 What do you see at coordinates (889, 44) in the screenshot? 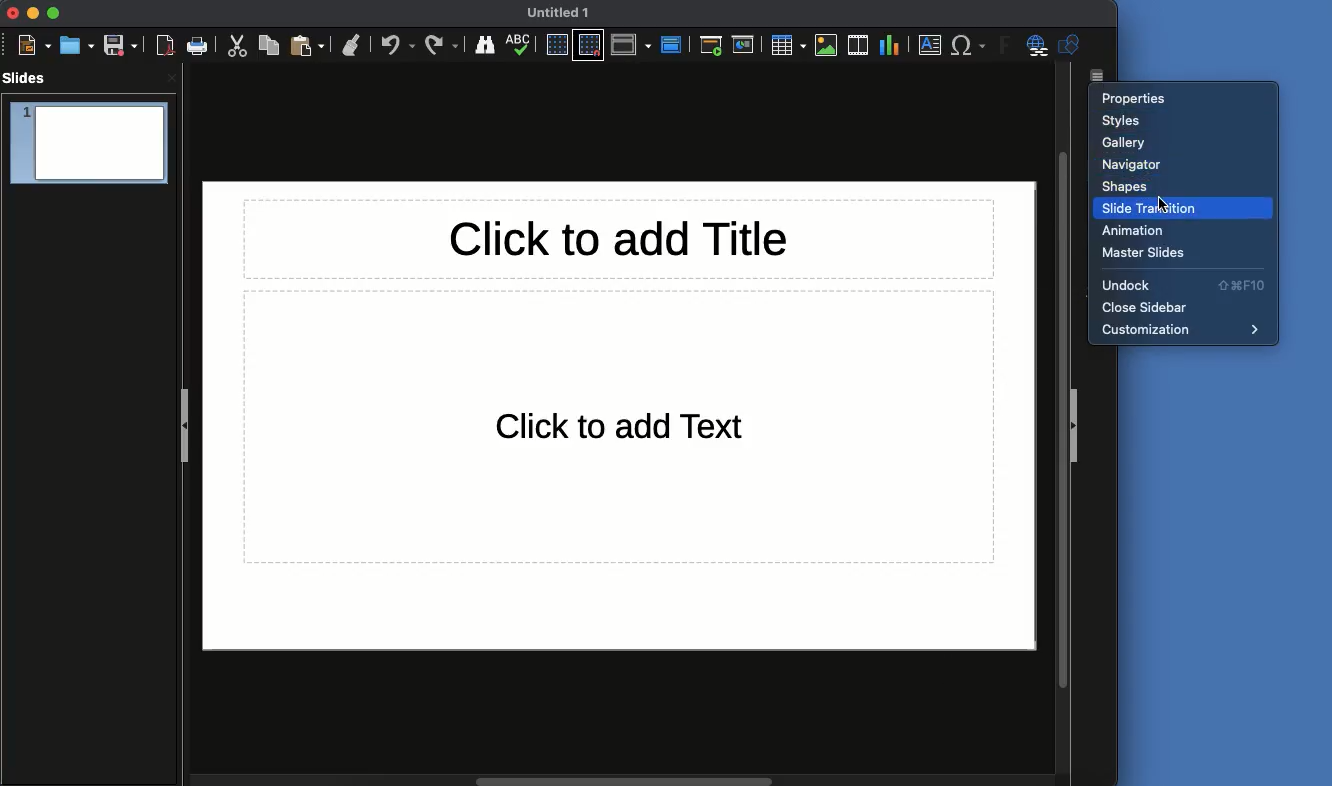
I see `Chart` at bounding box center [889, 44].